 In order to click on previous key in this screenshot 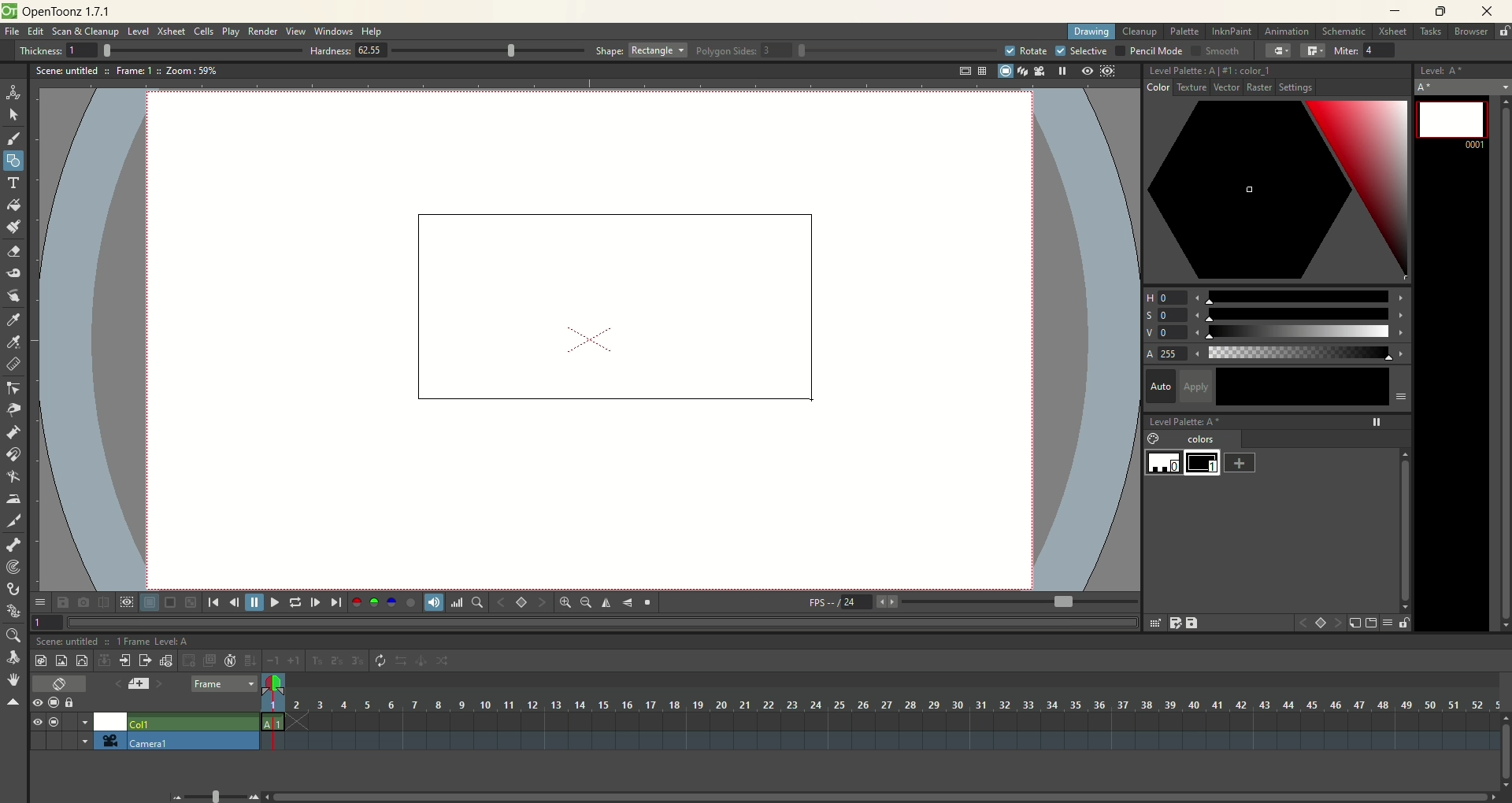, I will do `click(502, 602)`.